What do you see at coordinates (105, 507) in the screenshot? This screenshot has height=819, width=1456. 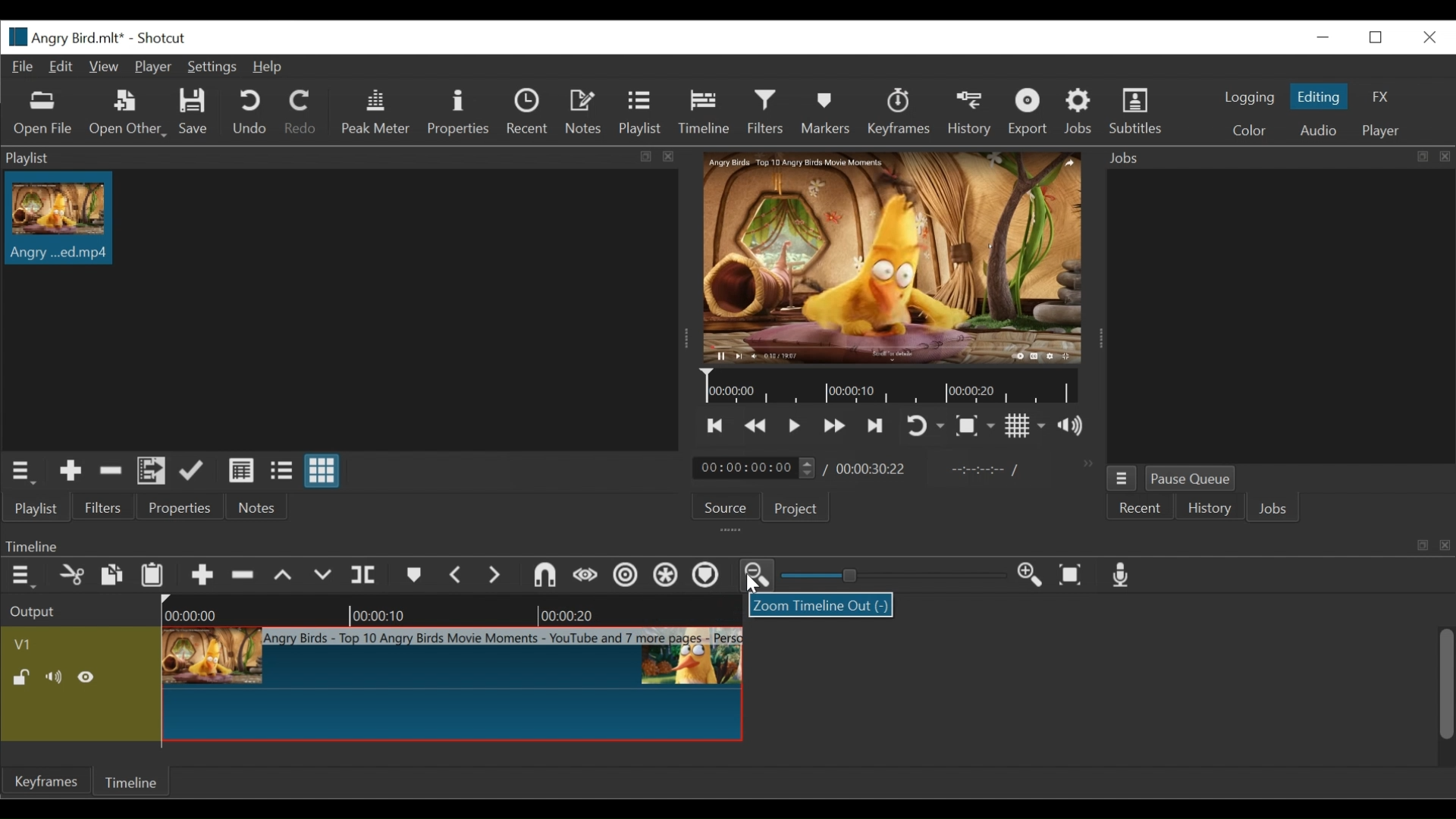 I see `Filters` at bounding box center [105, 507].